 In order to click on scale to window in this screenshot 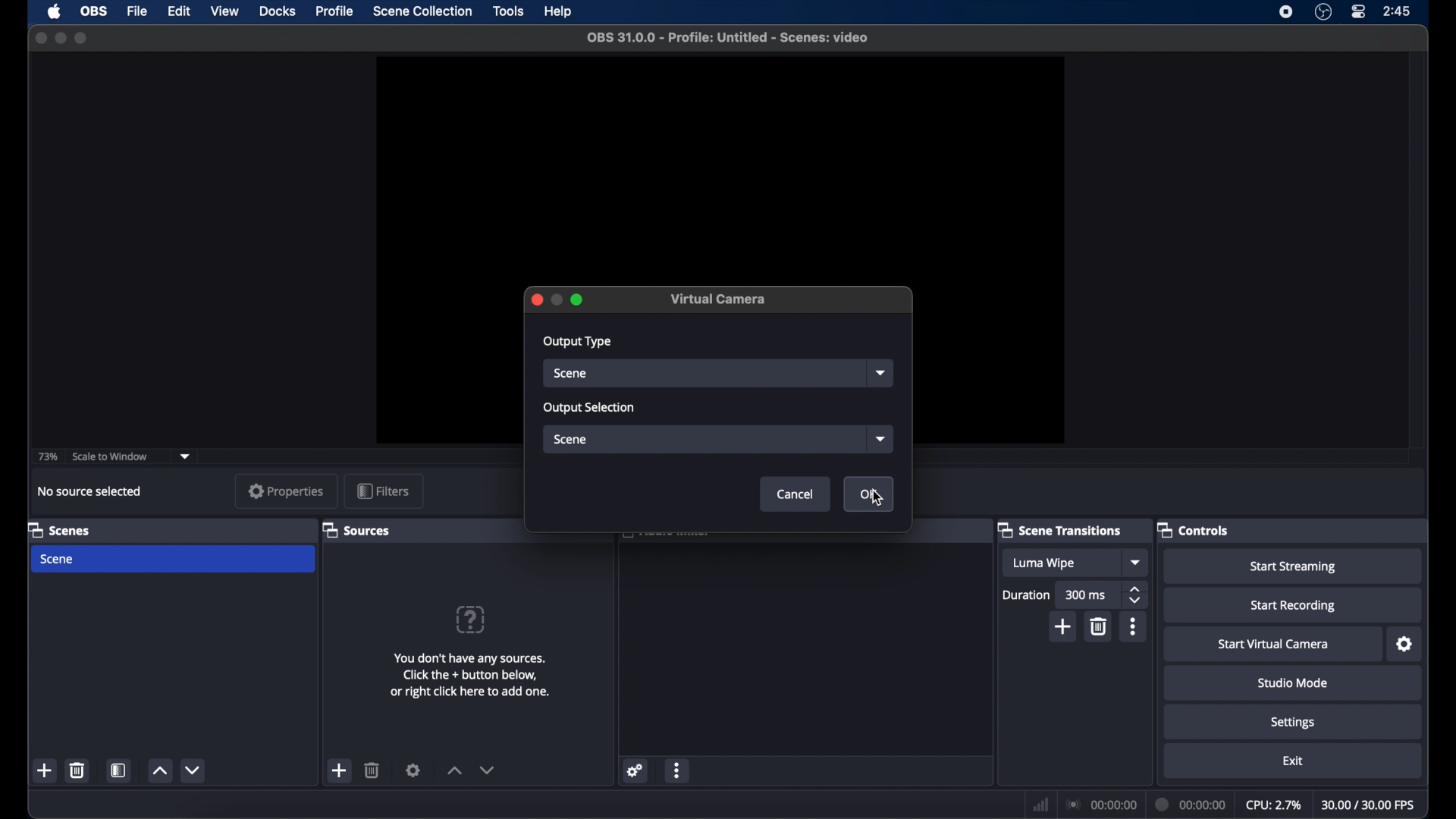, I will do `click(110, 456)`.